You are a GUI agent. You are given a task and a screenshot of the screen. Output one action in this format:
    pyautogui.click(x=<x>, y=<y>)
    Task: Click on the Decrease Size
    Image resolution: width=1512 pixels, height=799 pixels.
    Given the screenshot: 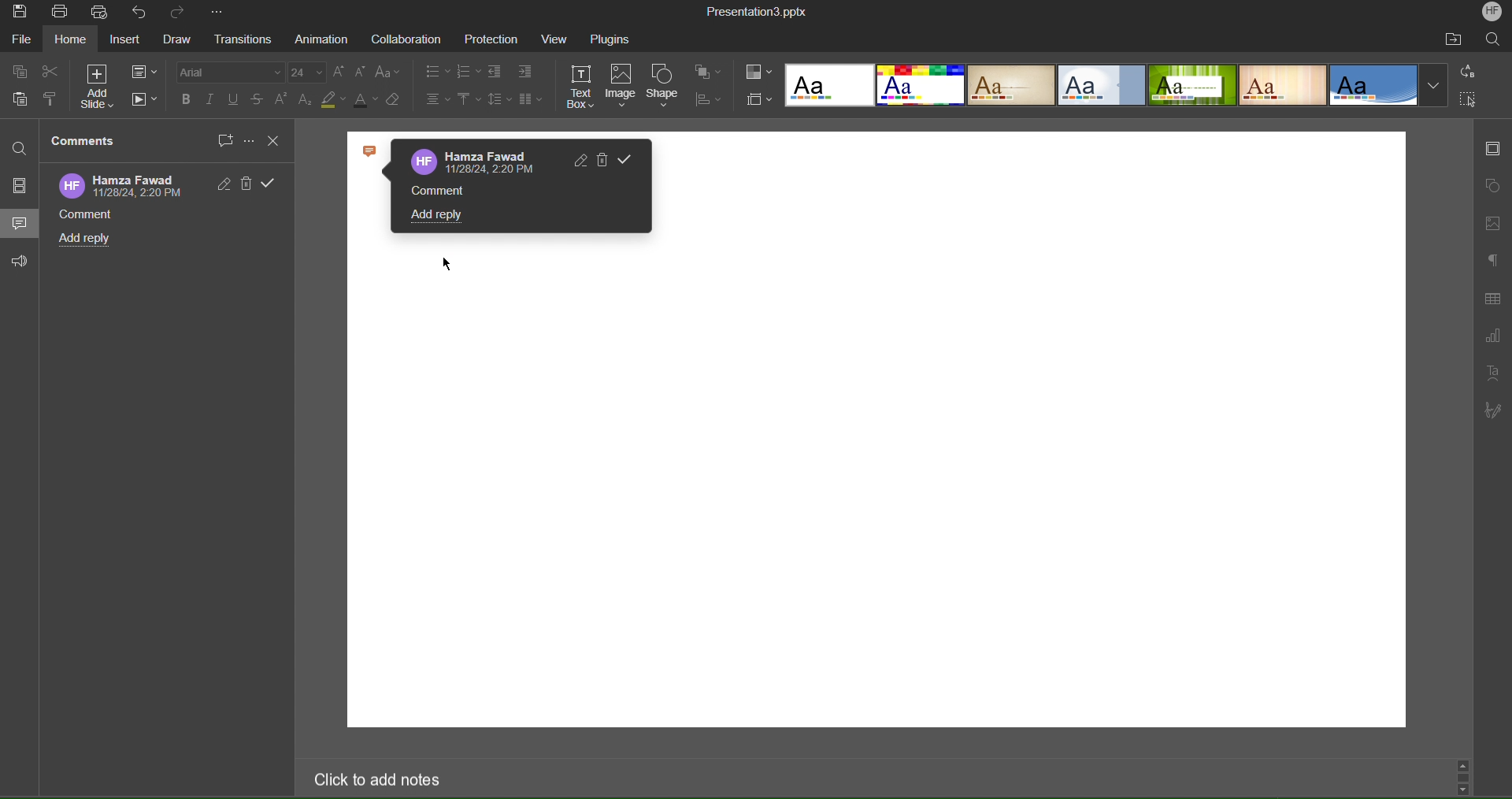 What is the action you would take?
    pyautogui.click(x=362, y=75)
    